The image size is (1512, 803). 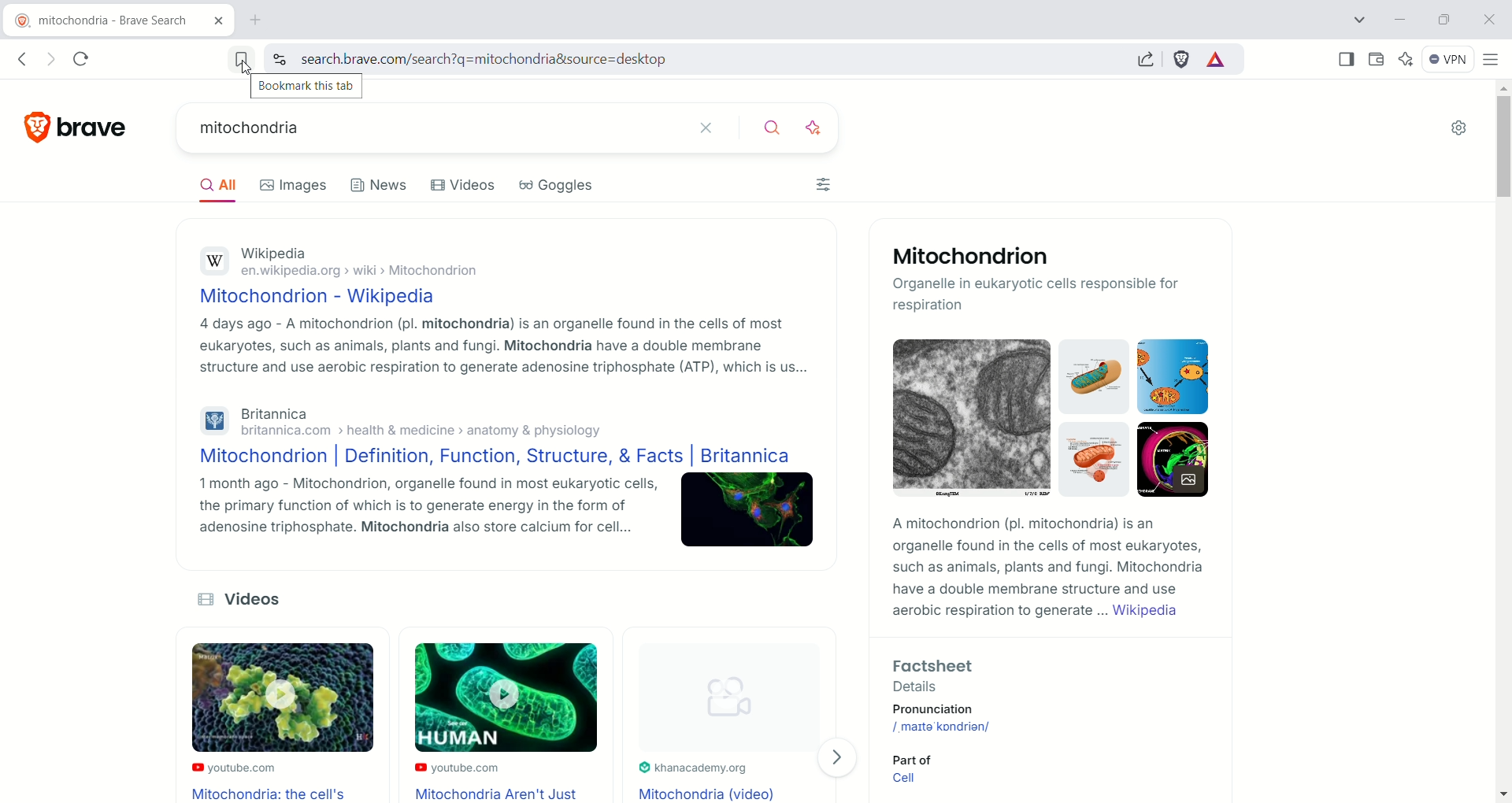 What do you see at coordinates (556, 186) in the screenshot?
I see `Goggles` at bounding box center [556, 186].